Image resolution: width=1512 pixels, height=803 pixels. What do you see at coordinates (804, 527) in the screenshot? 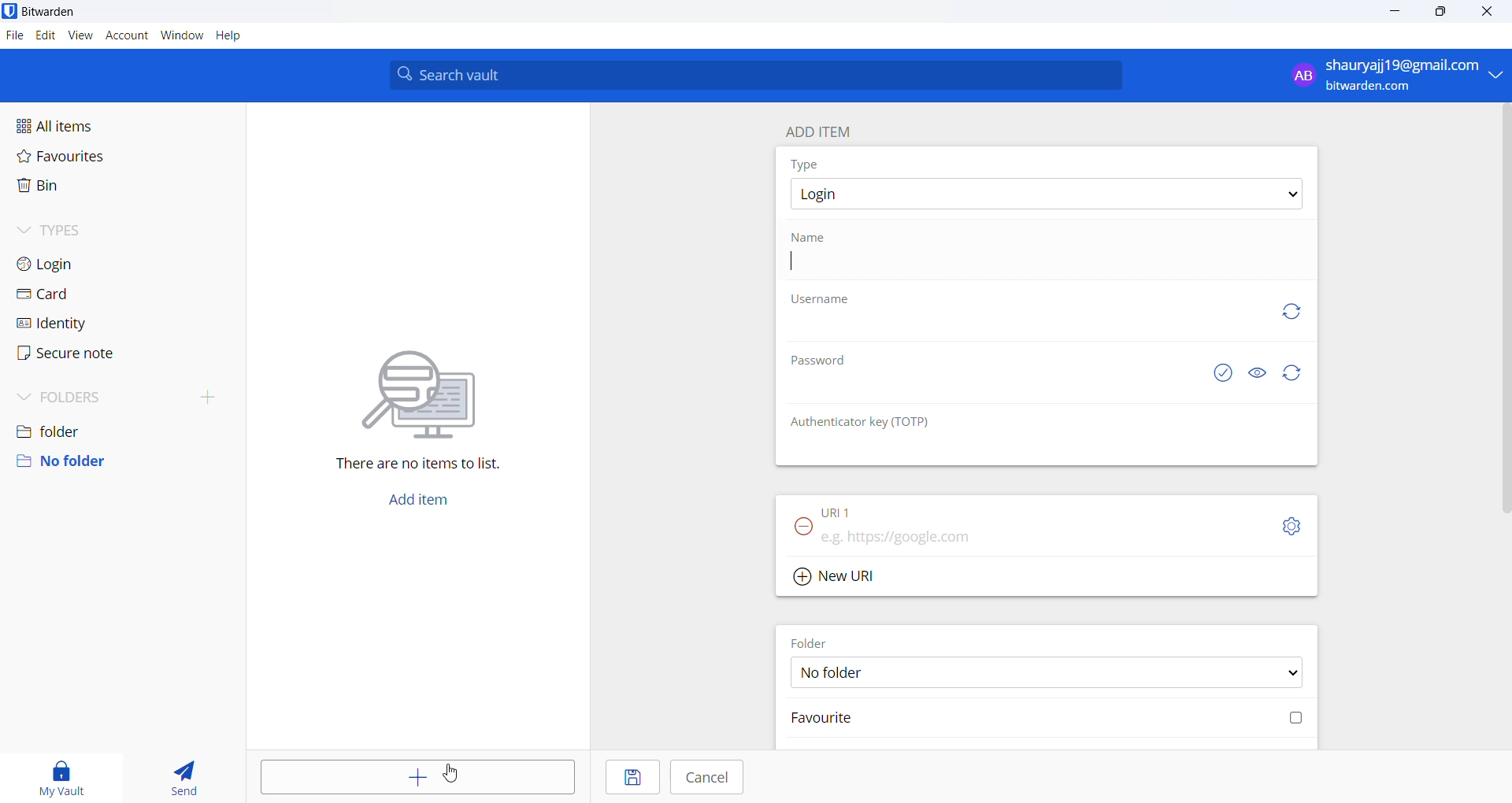
I see `remove URL` at bounding box center [804, 527].